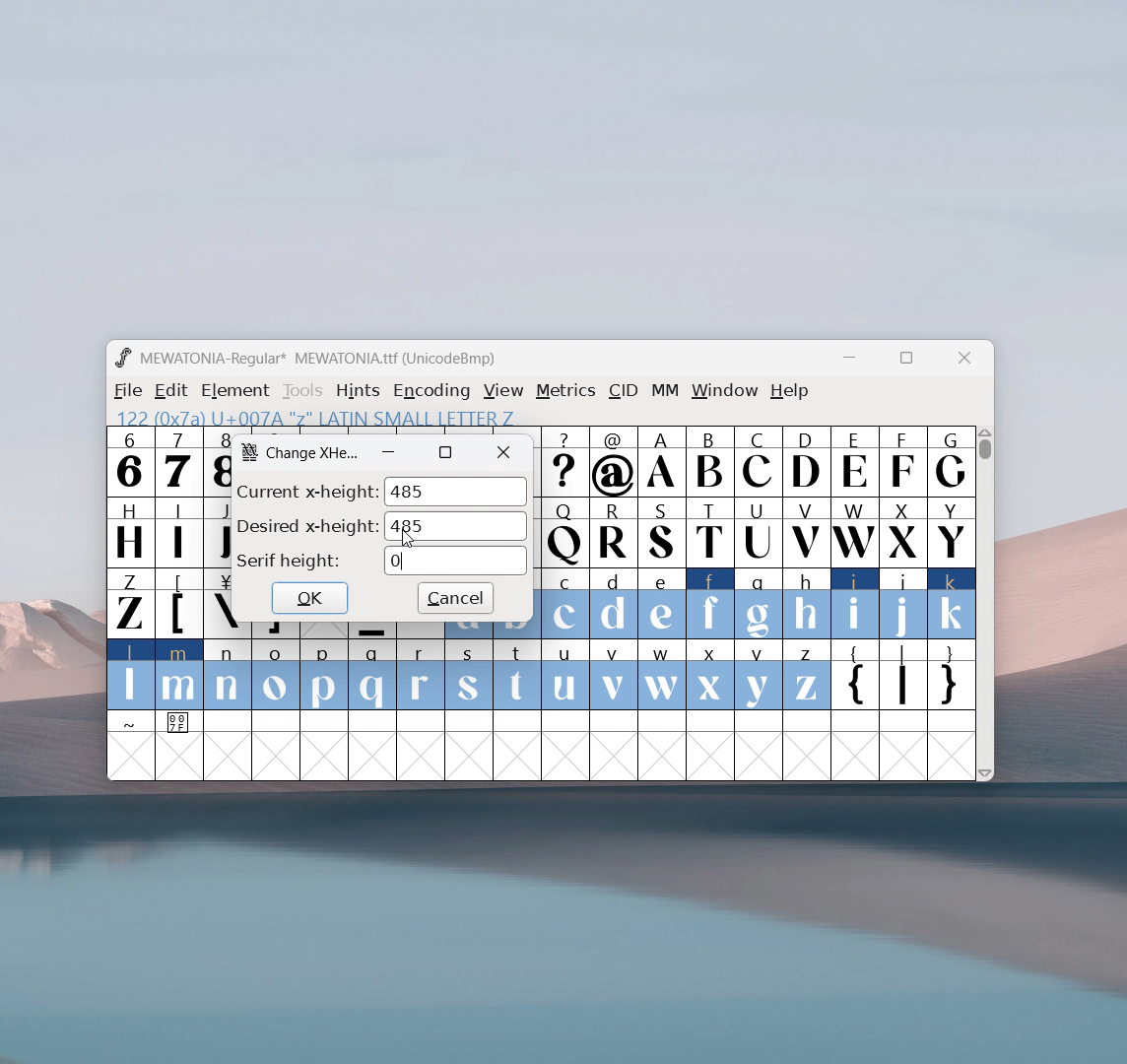  I want to click on hints, so click(360, 390).